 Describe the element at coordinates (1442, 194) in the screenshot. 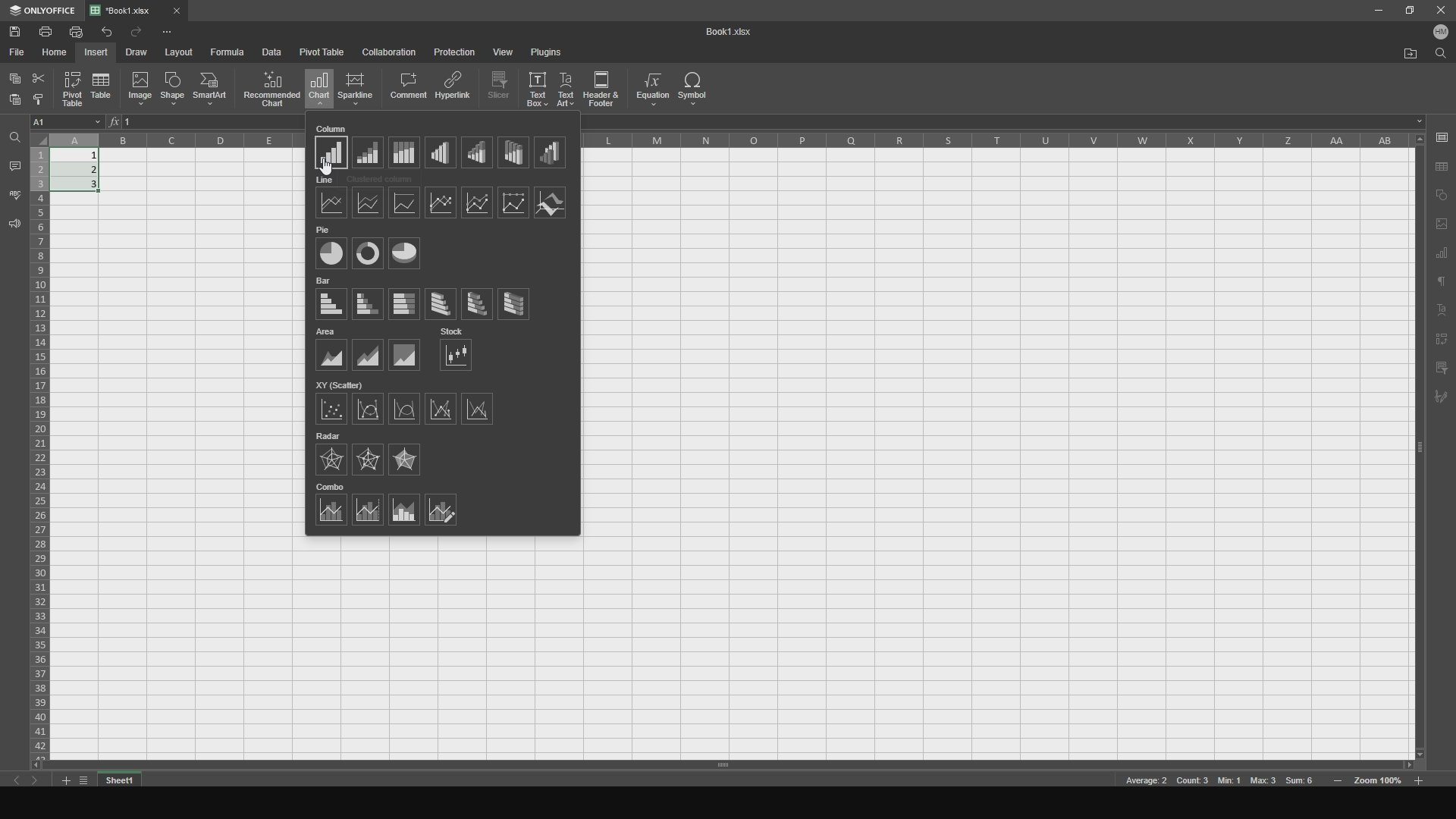

I see `copy` at that location.